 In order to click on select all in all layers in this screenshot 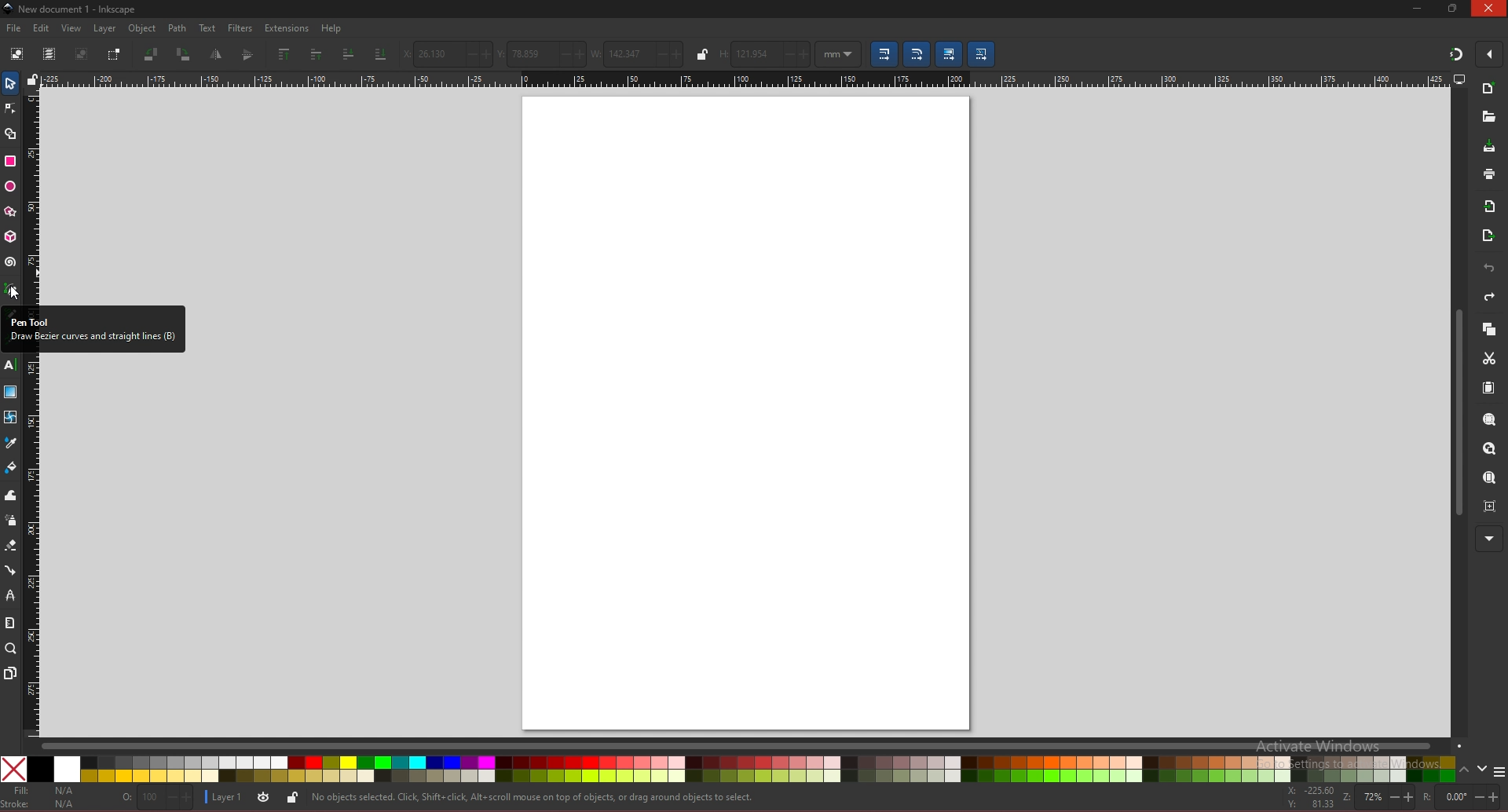, I will do `click(49, 53)`.